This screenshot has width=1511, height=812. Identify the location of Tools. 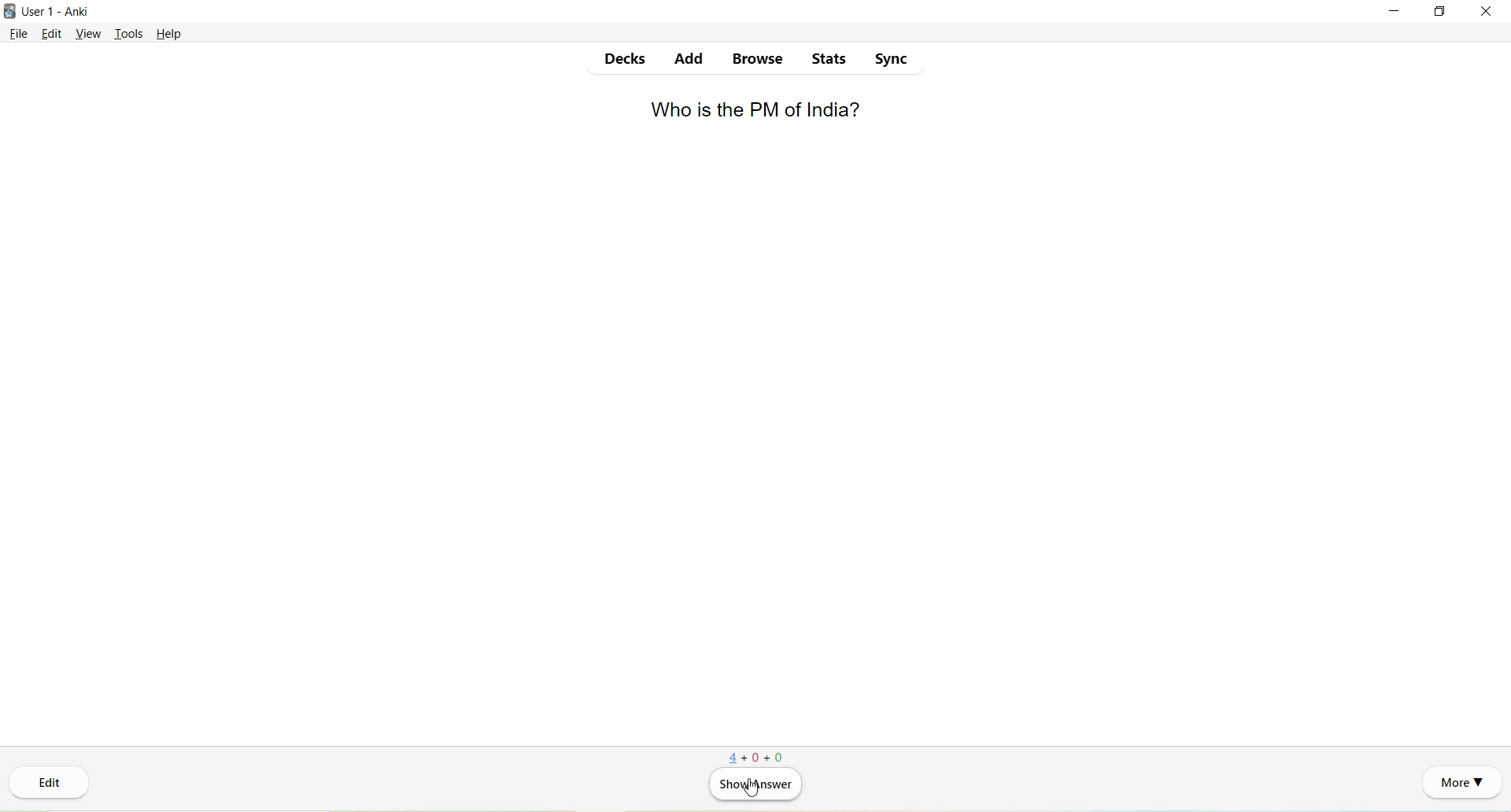
(128, 35).